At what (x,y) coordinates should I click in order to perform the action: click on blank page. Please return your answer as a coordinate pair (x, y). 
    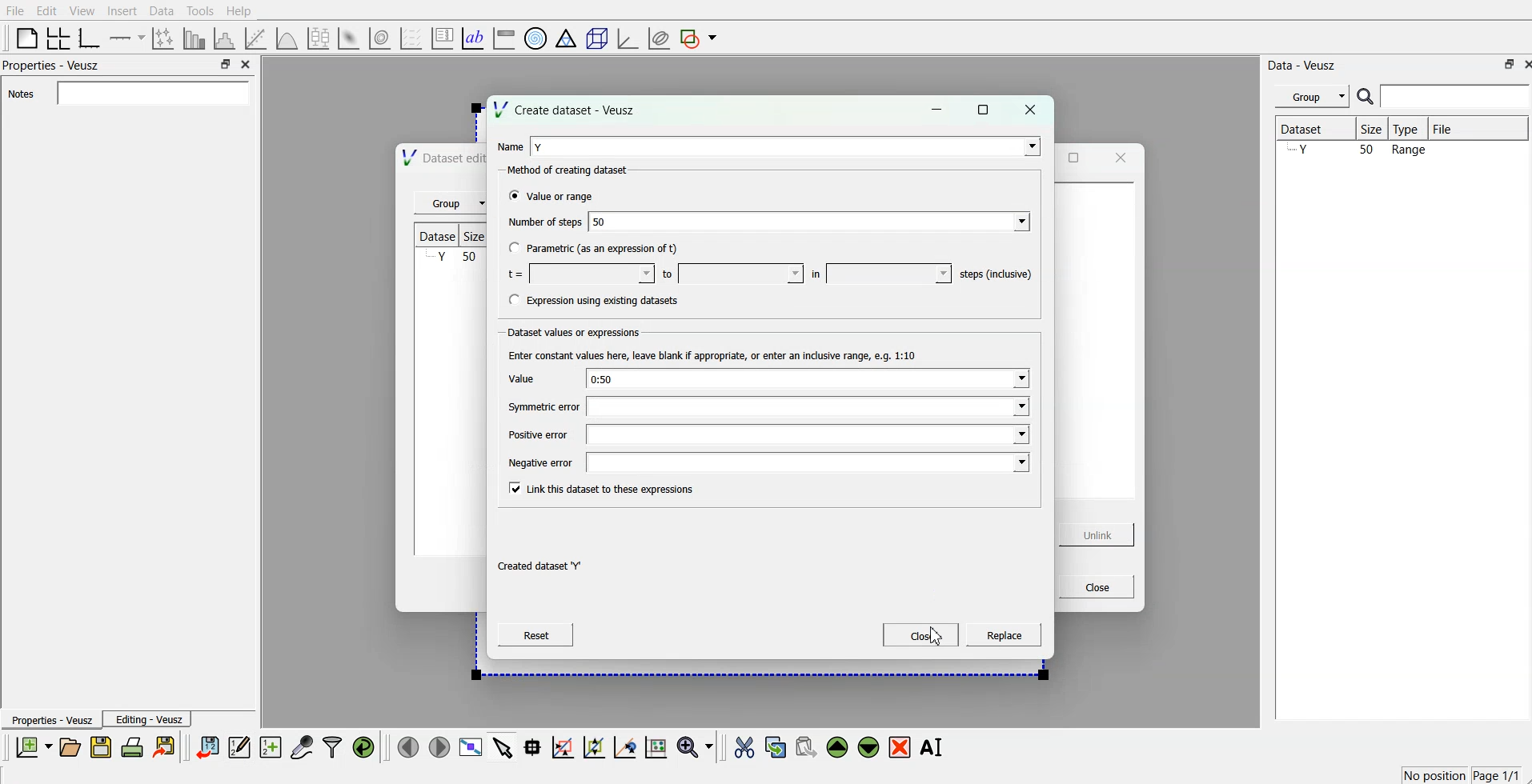
    Looking at the image, I should click on (24, 38).